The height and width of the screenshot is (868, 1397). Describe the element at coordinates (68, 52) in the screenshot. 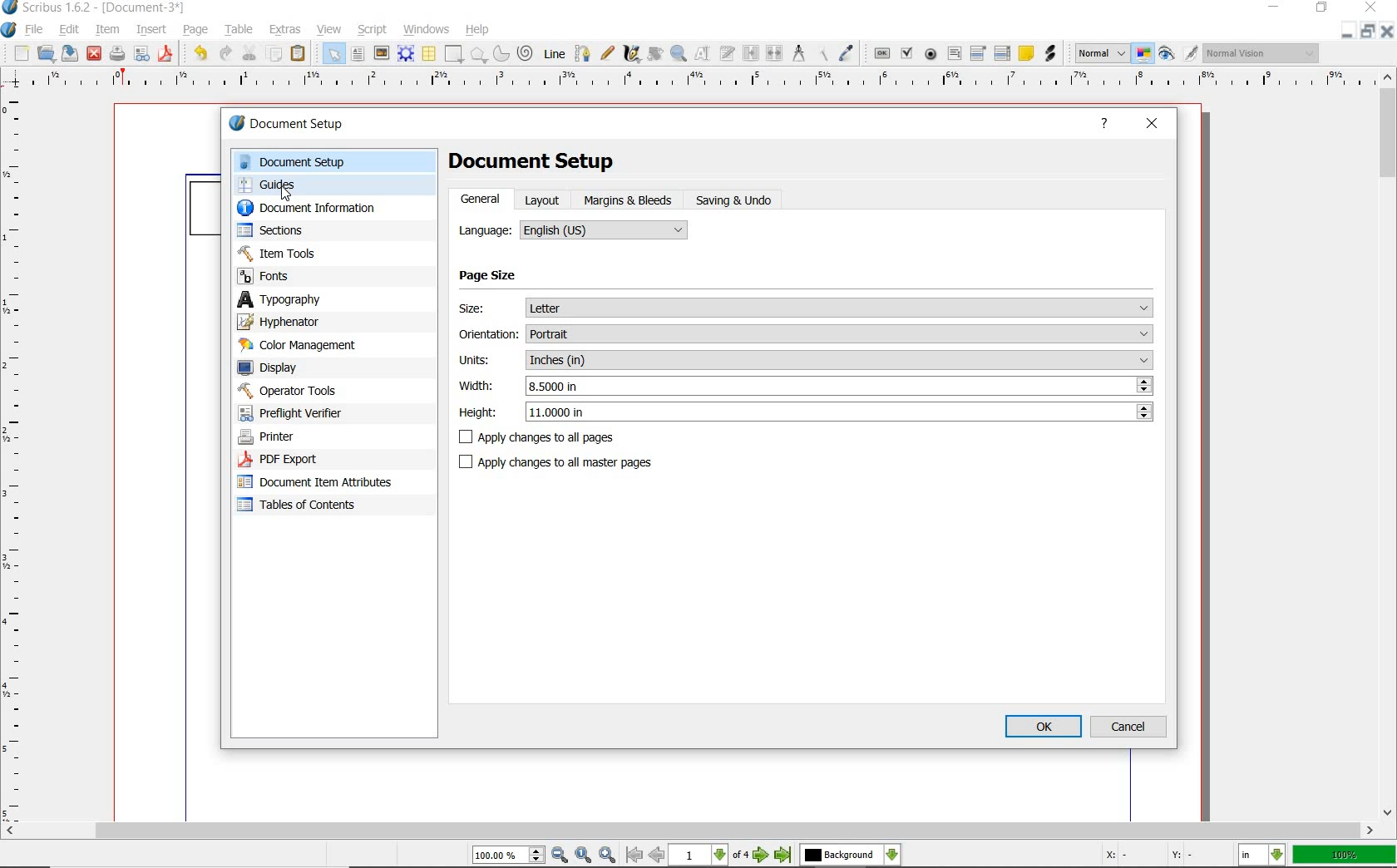

I see `save` at that location.